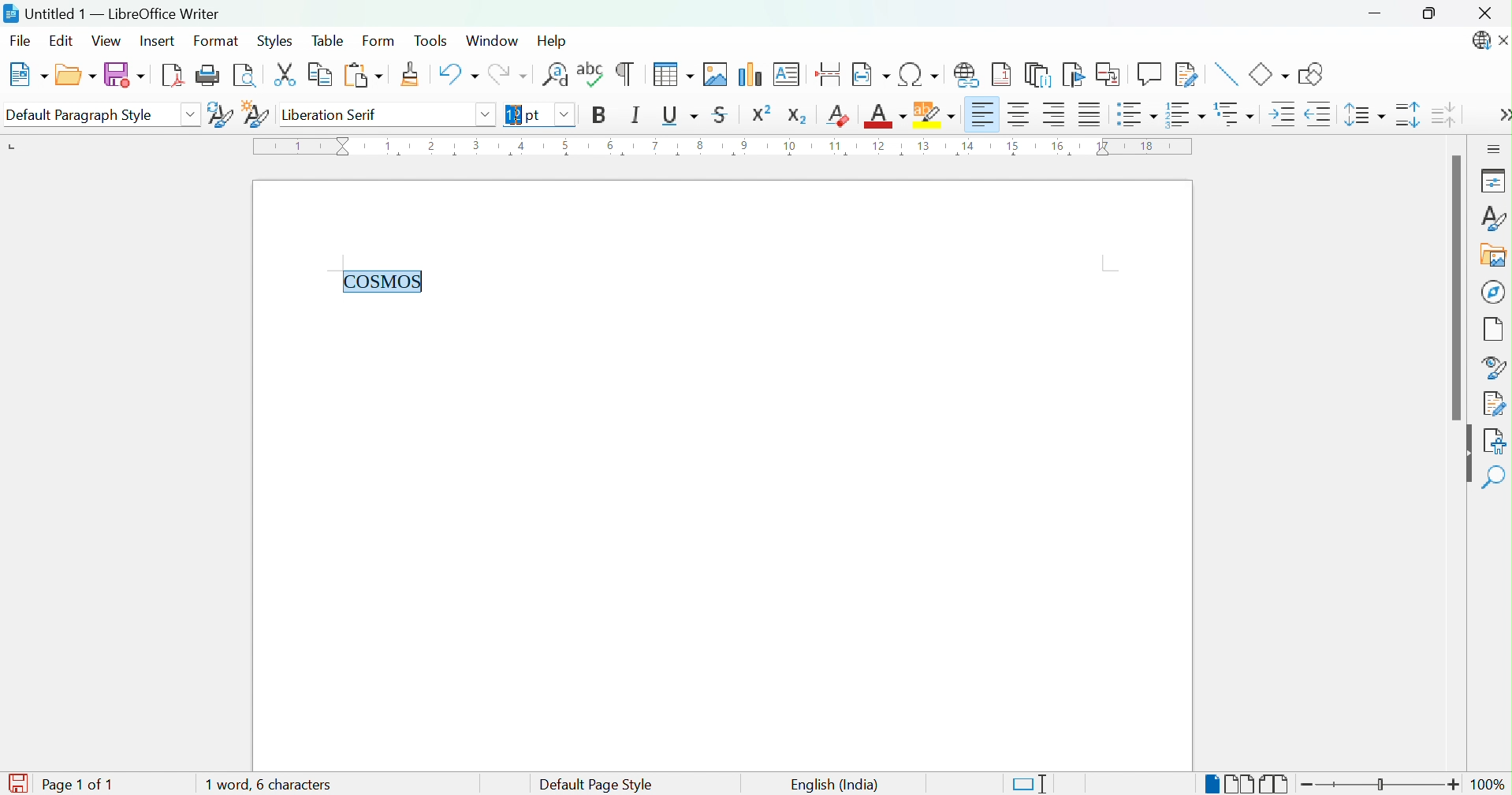  Describe the element at coordinates (1494, 148) in the screenshot. I see `Sidebar Settings` at that location.